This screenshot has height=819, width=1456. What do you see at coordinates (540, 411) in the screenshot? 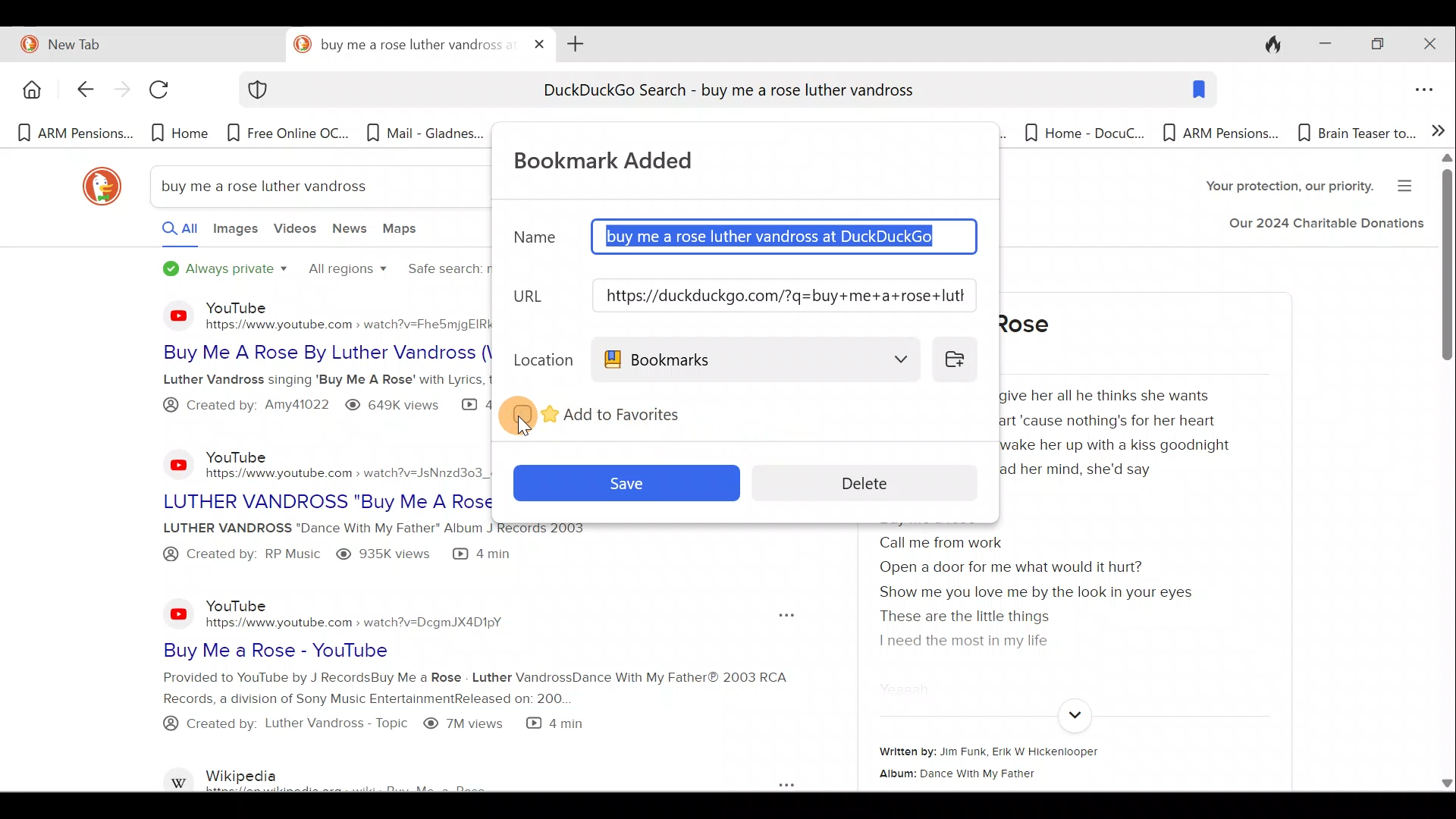
I see `Cursor` at bounding box center [540, 411].